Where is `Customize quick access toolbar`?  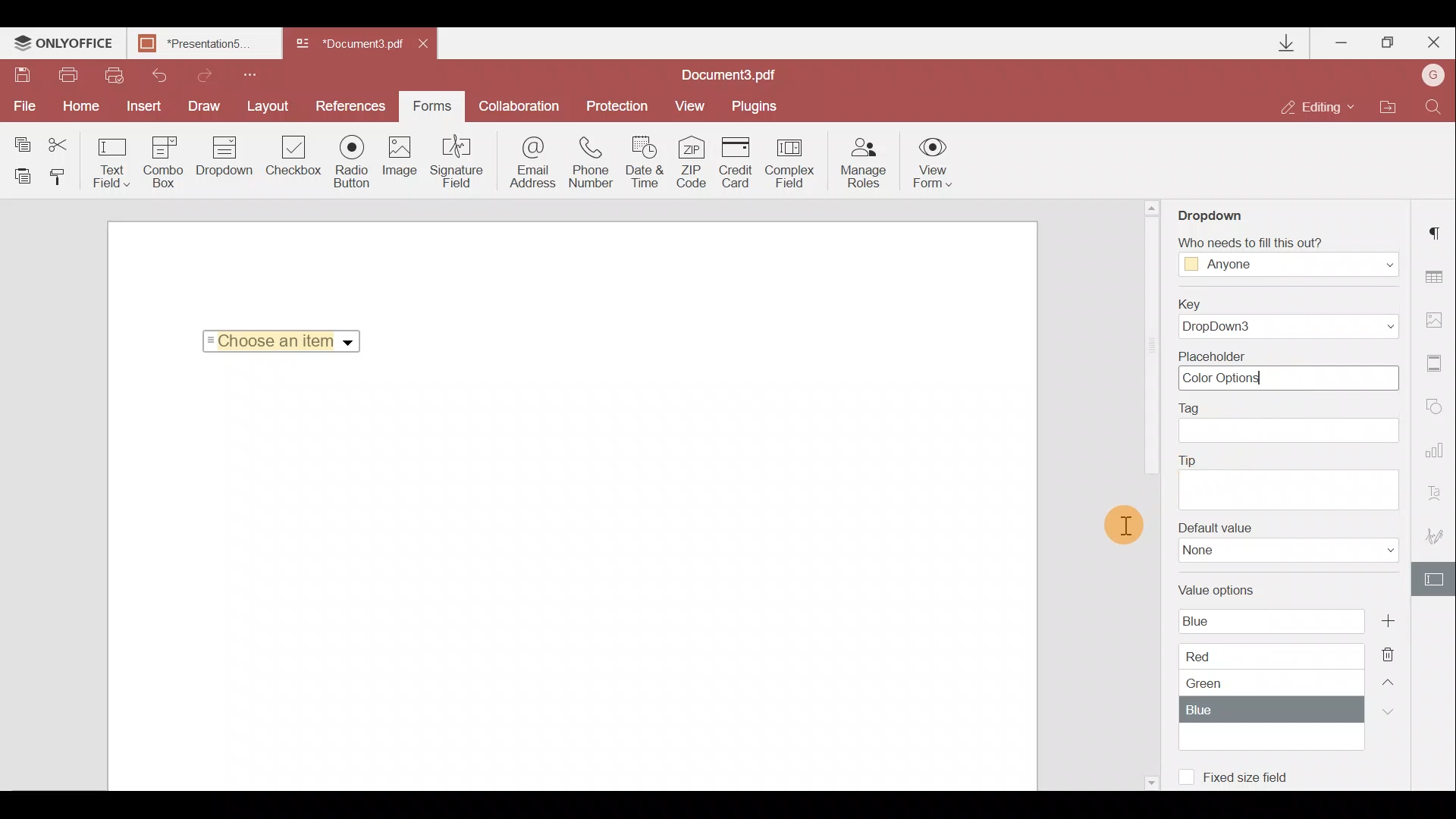 Customize quick access toolbar is located at coordinates (256, 74).